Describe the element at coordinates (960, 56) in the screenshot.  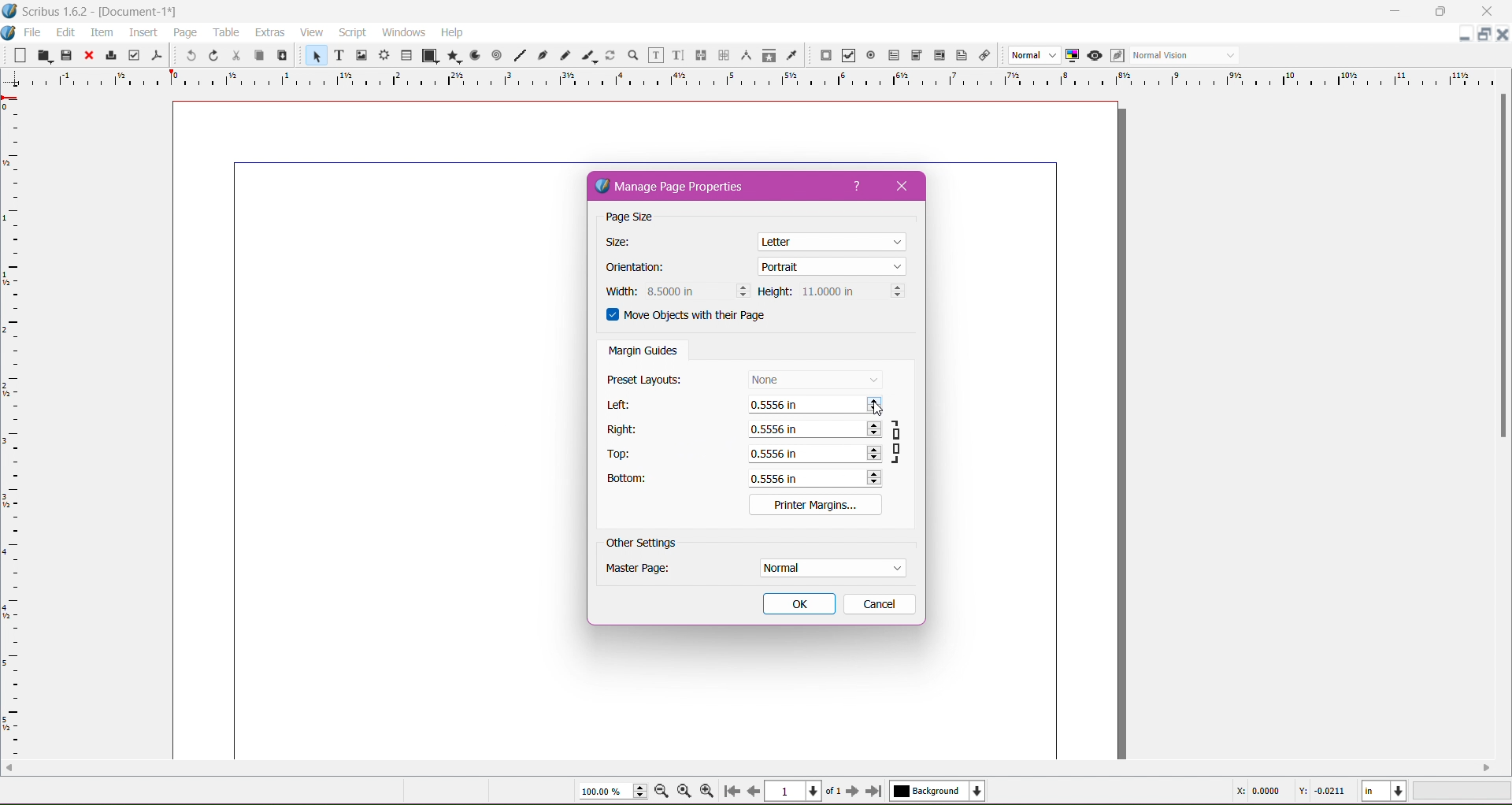
I see `Text Annotation` at that location.